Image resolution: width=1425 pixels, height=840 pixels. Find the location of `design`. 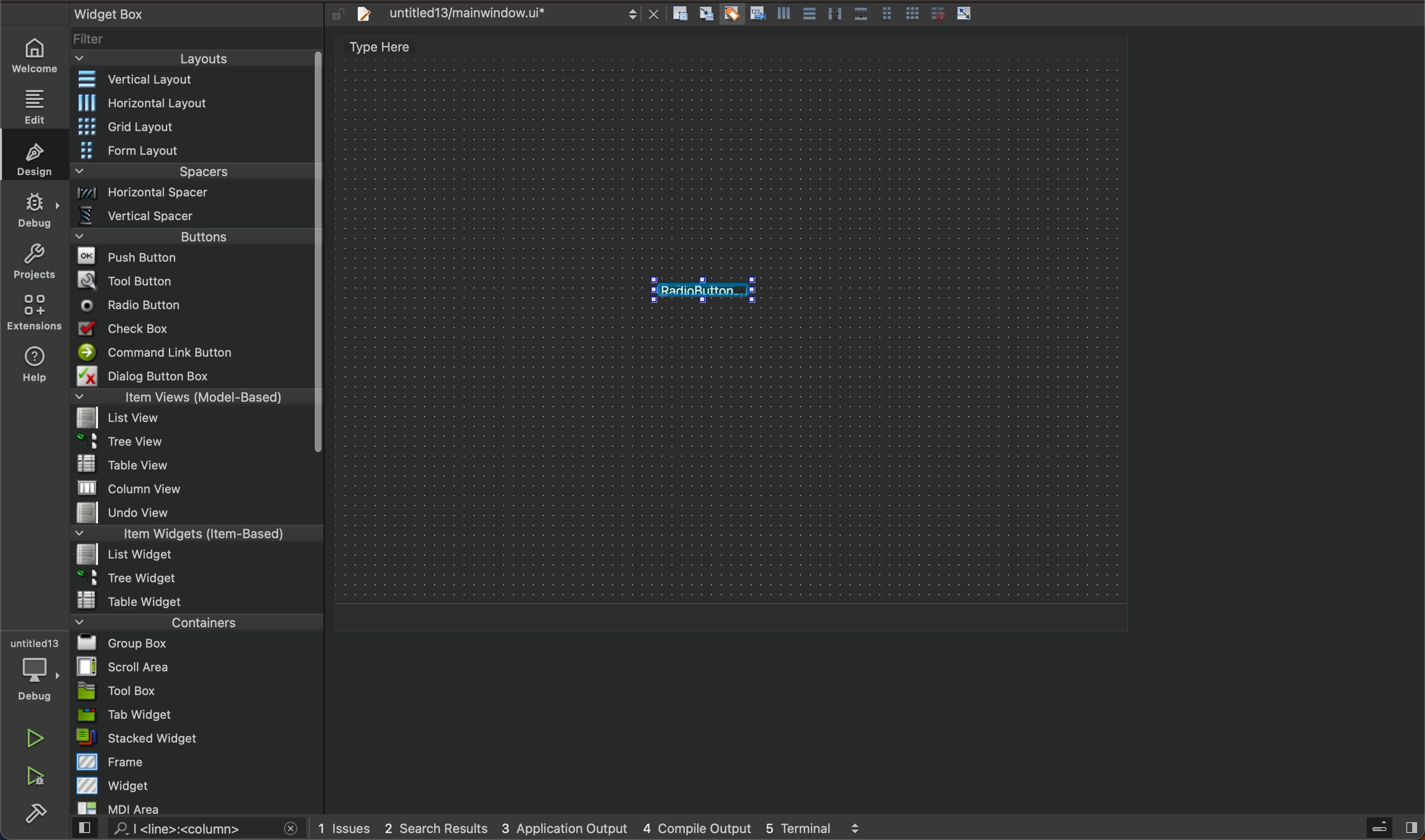

design is located at coordinates (31, 155).